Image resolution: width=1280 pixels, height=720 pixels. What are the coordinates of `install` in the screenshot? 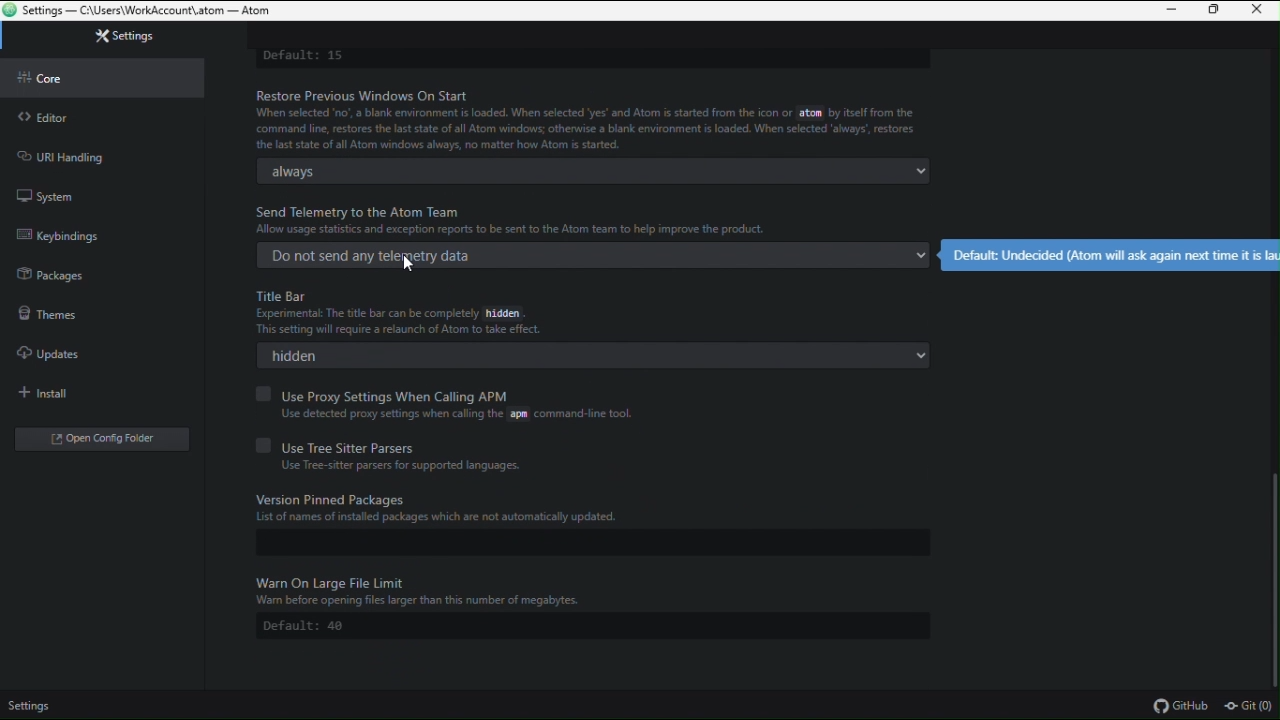 It's located at (93, 388).